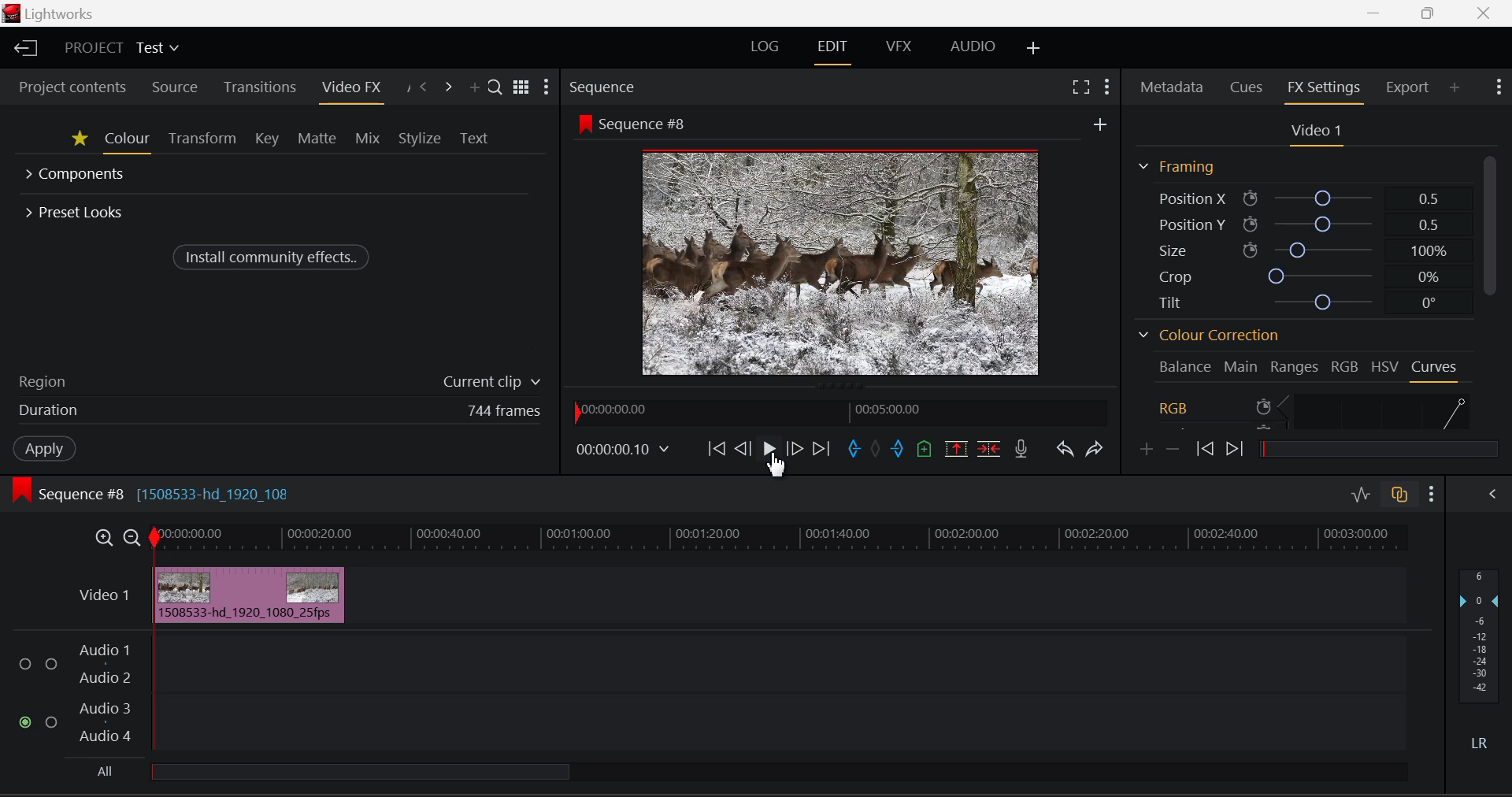  Describe the element at coordinates (174, 87) in the screenshot. I see `Source` at that location.